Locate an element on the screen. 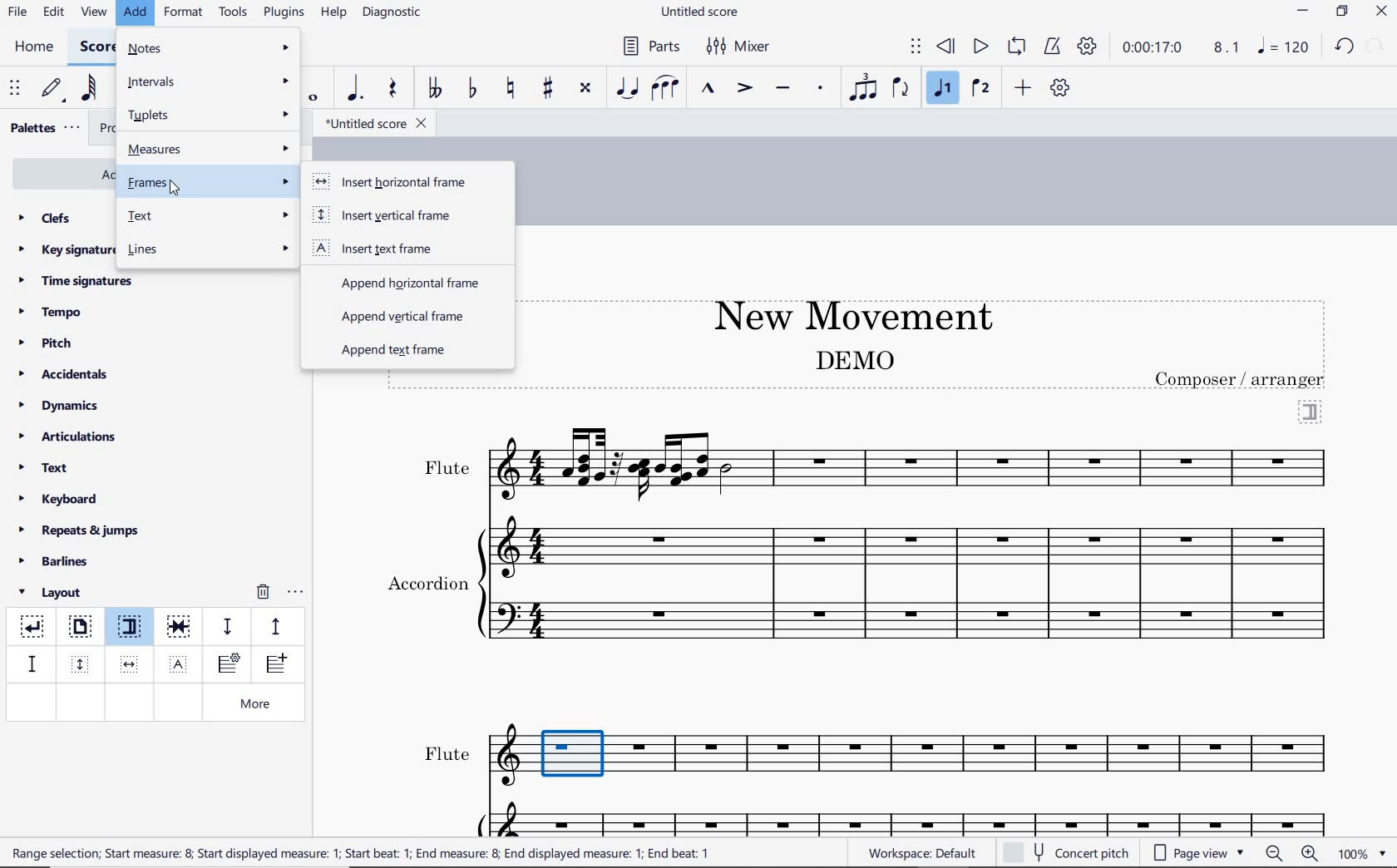 The width and height of the screenshot is (1397, 868). home is located at coordinates (33, 47).